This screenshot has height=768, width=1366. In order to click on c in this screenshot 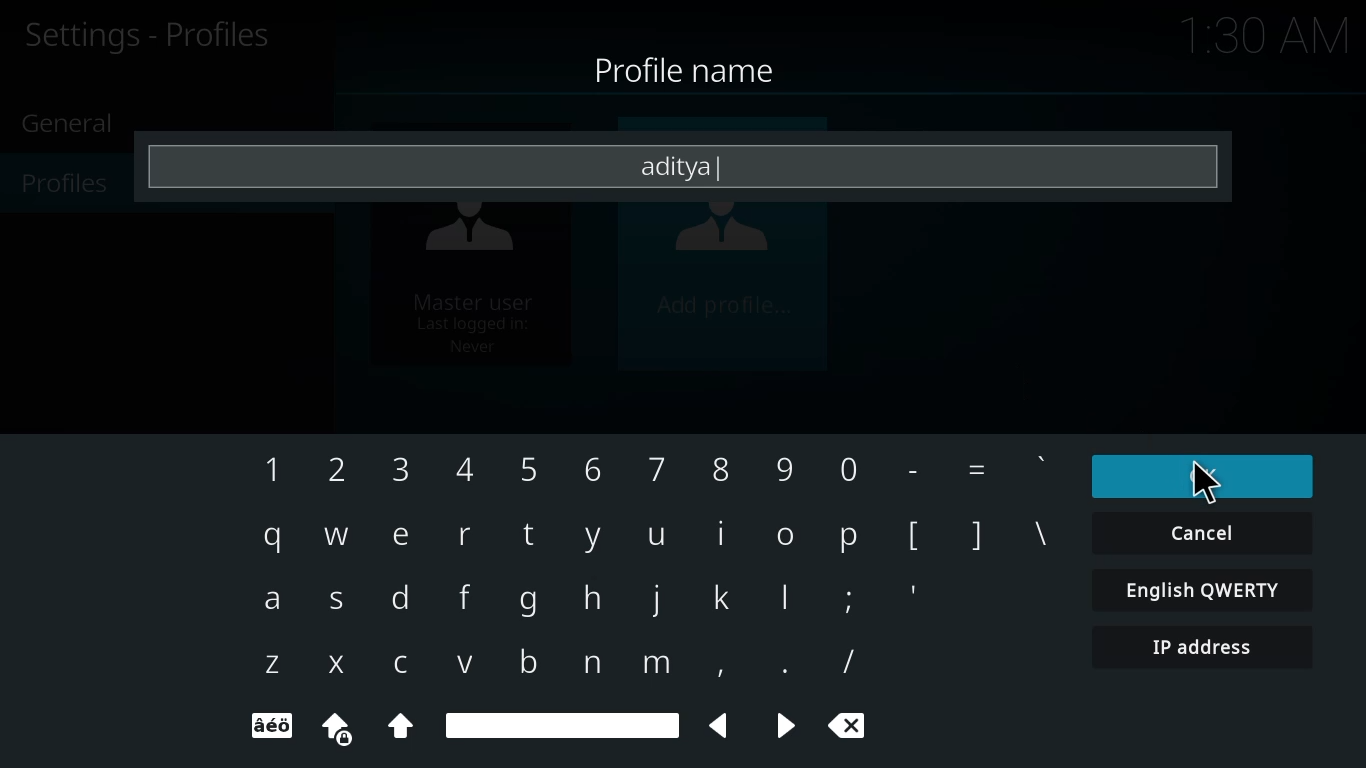, I will do `click(401, 661)`.